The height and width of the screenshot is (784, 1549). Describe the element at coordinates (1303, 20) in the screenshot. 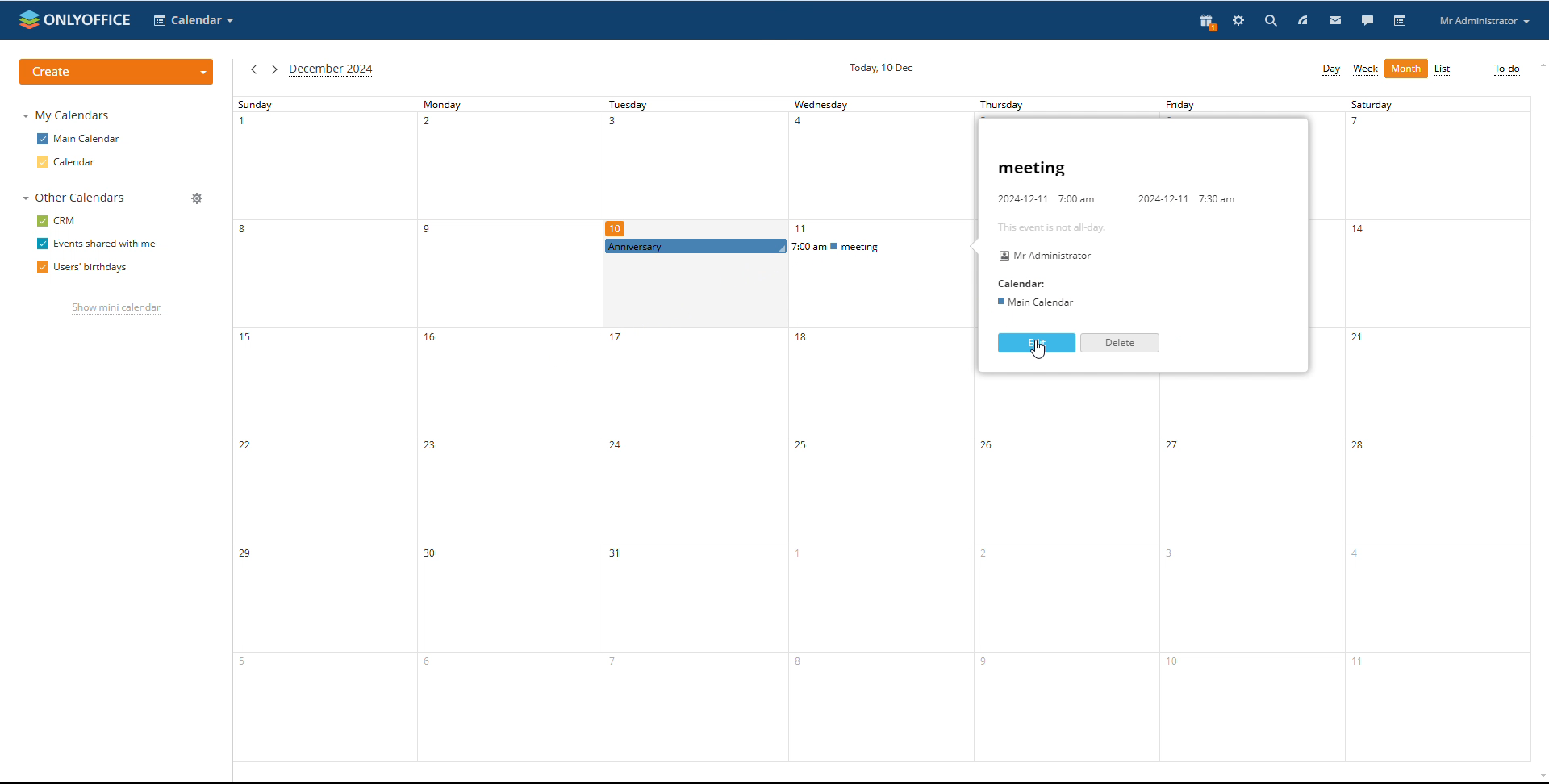

I see `feed` at that location.